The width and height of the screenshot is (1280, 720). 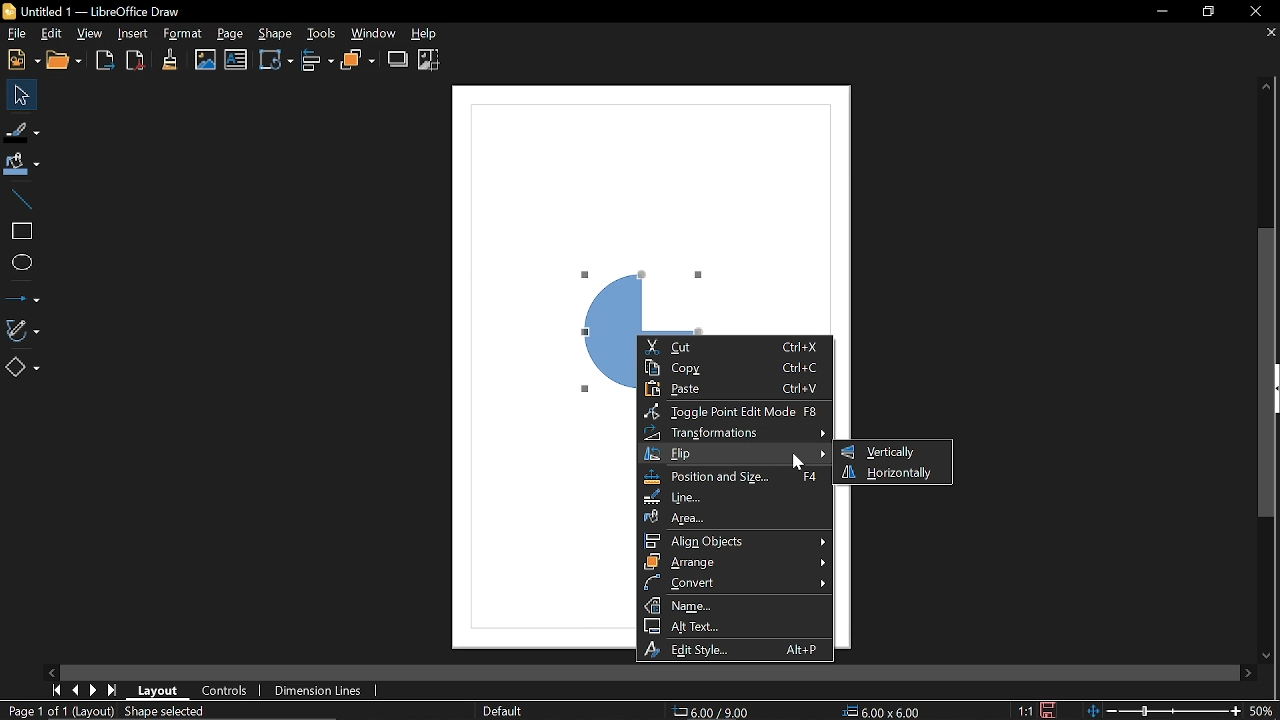 I want to click on Fill color, so click(x=22, y=164).